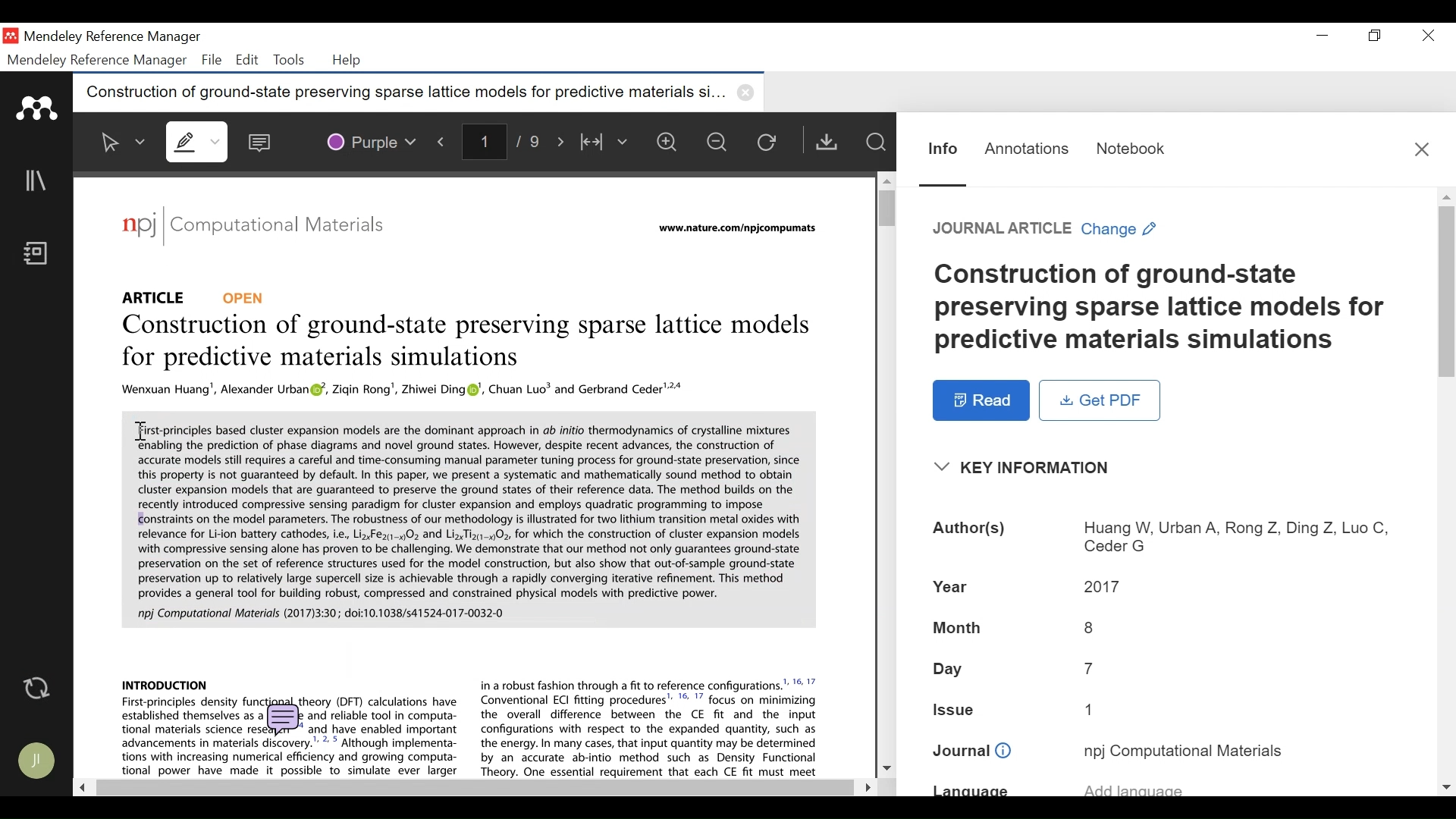  What do you see at coordinates (651, 726) in the screenshot?
I see `PDF Context` at bounding box center [651, 726].